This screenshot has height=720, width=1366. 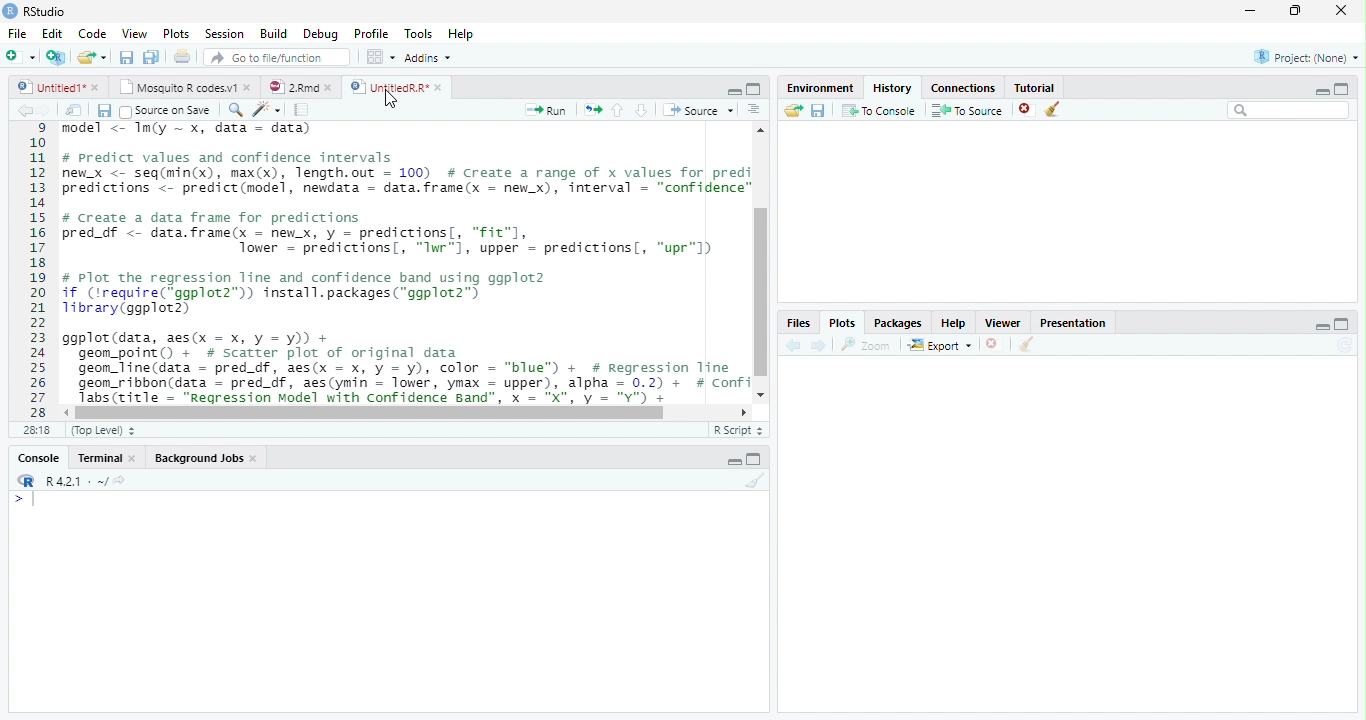 What do you see at coordinates (956, 322) in the screenshot?
I see `Help` at bounding box center [956, 322].